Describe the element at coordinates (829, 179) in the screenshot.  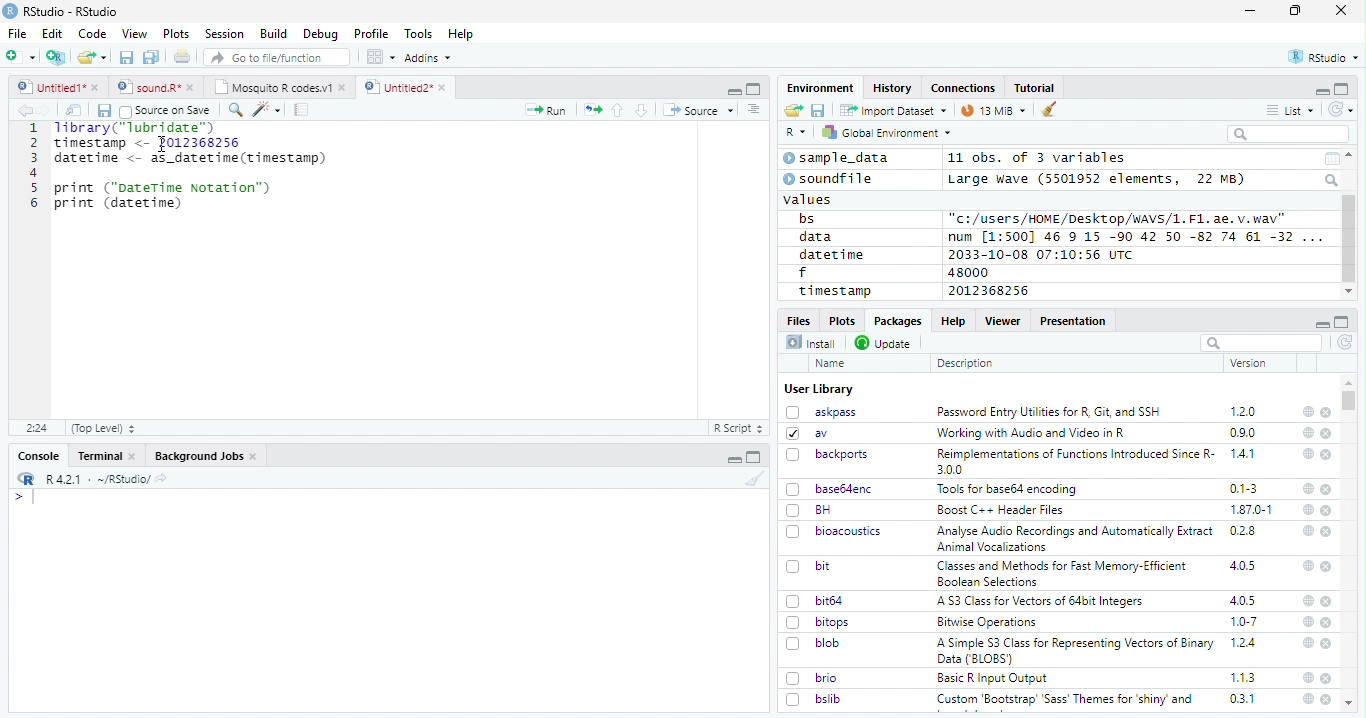
I see `soundfile` at that location.